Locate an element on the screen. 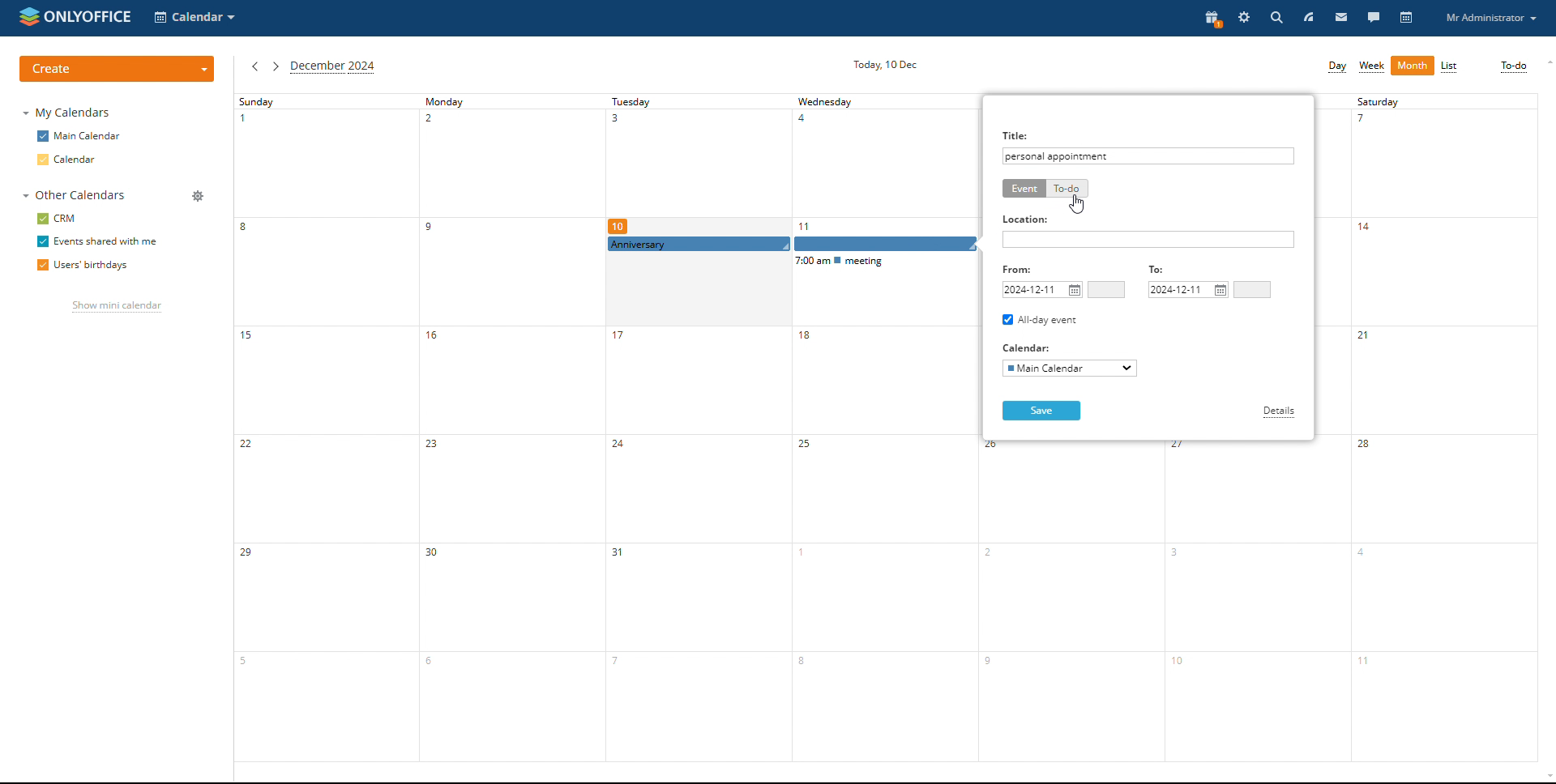  details is located at coordinates (1280, 412).